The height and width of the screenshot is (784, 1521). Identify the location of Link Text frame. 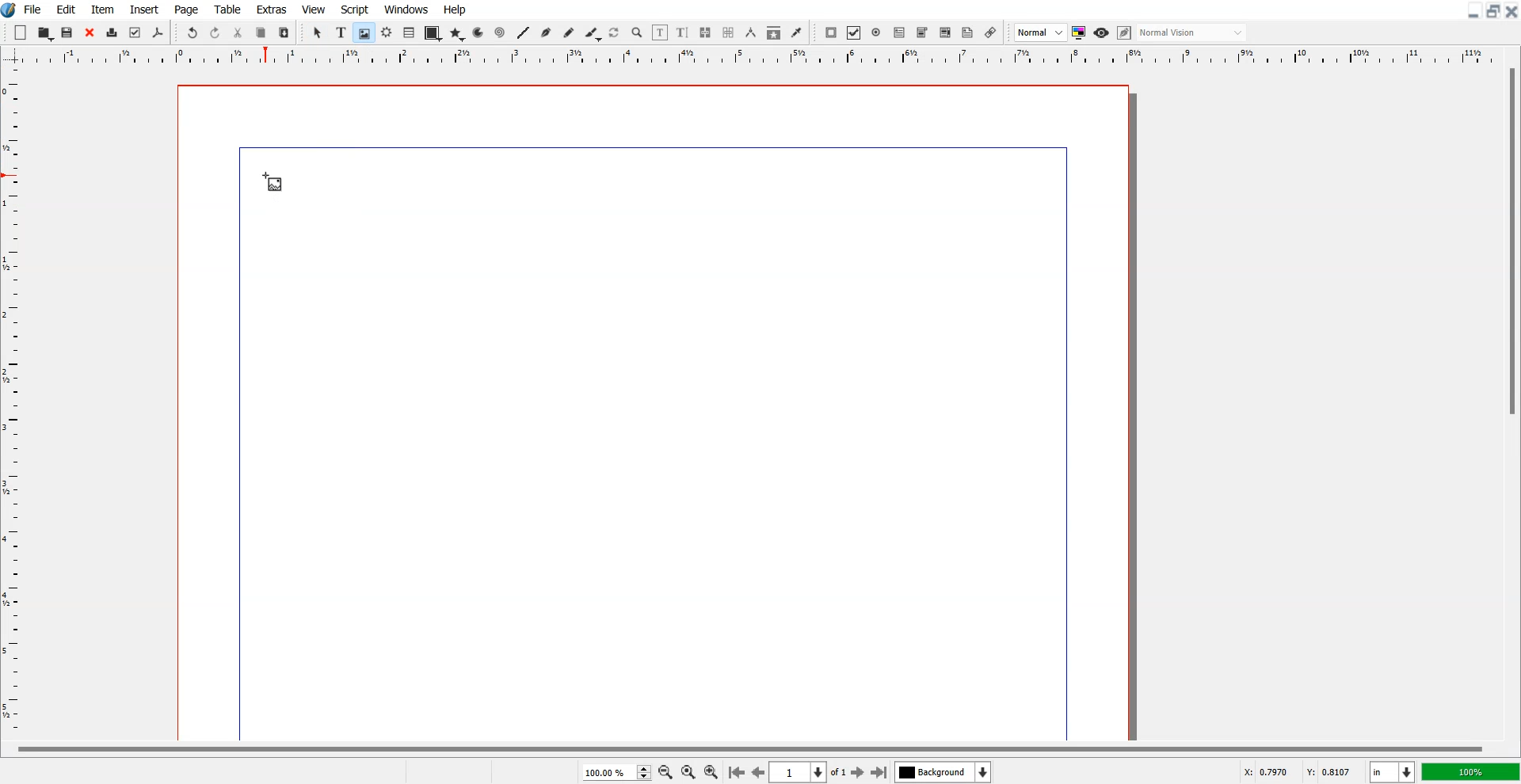
(705, 32).